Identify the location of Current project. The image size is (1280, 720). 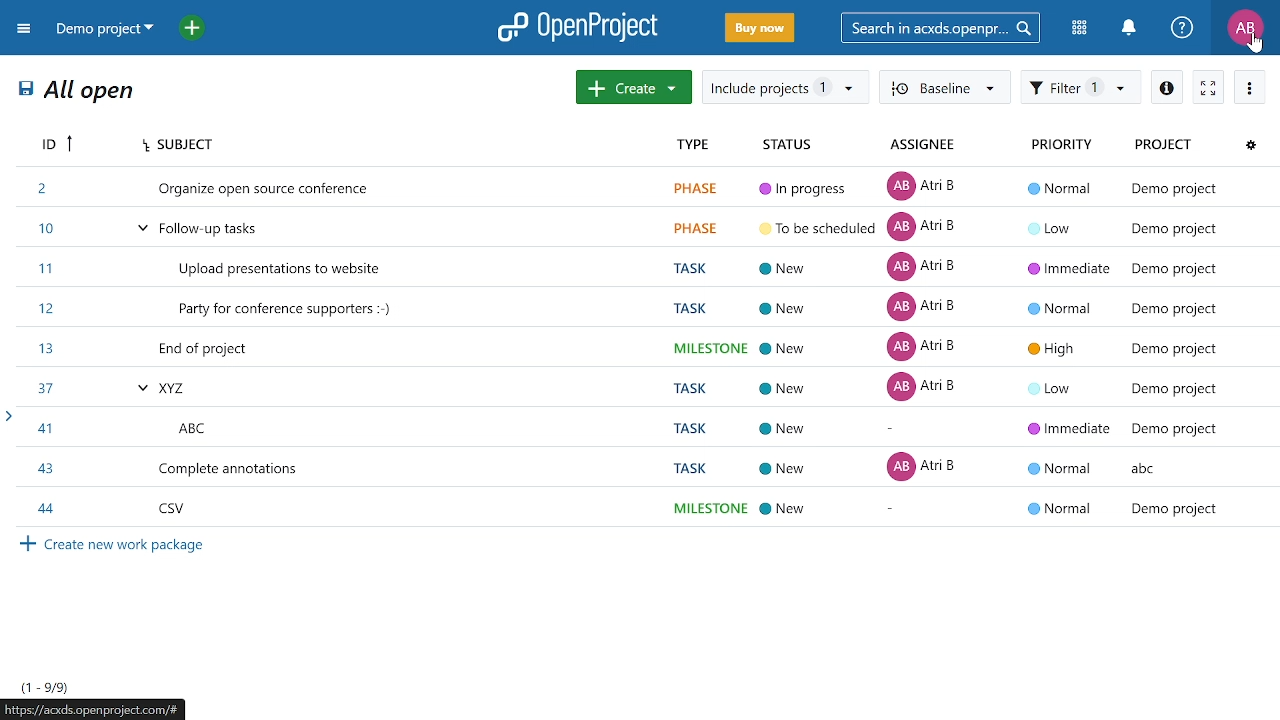
(103, 30).